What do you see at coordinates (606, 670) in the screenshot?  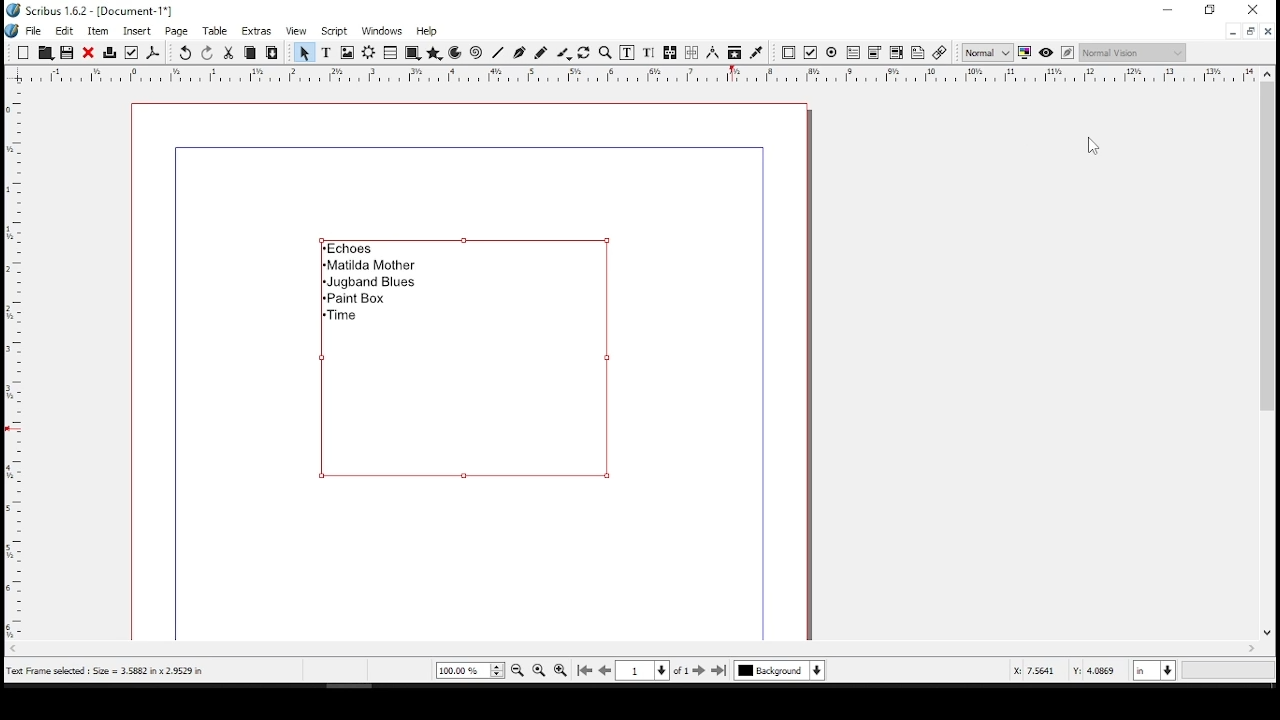 I see `previous page` at bounding box center [606, 670].